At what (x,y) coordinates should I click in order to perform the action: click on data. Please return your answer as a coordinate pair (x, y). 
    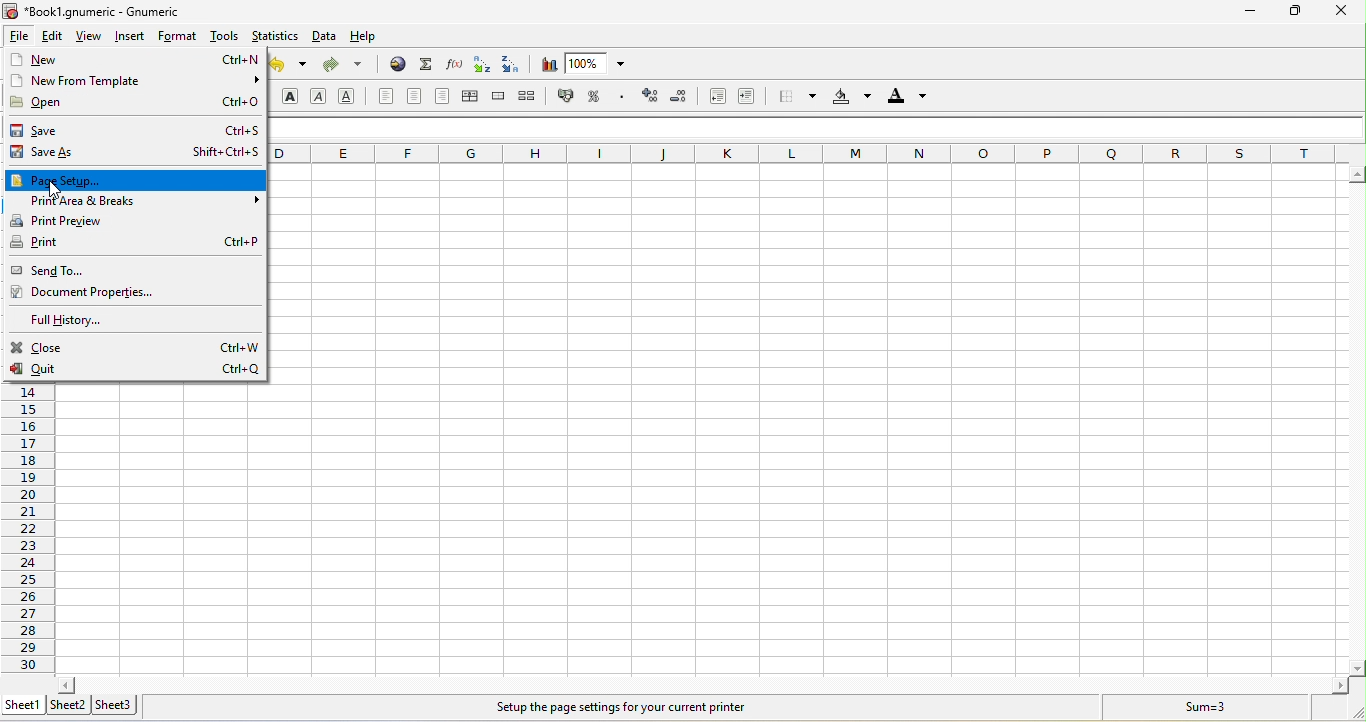
    Looking at the image, I should click on (326, 38).